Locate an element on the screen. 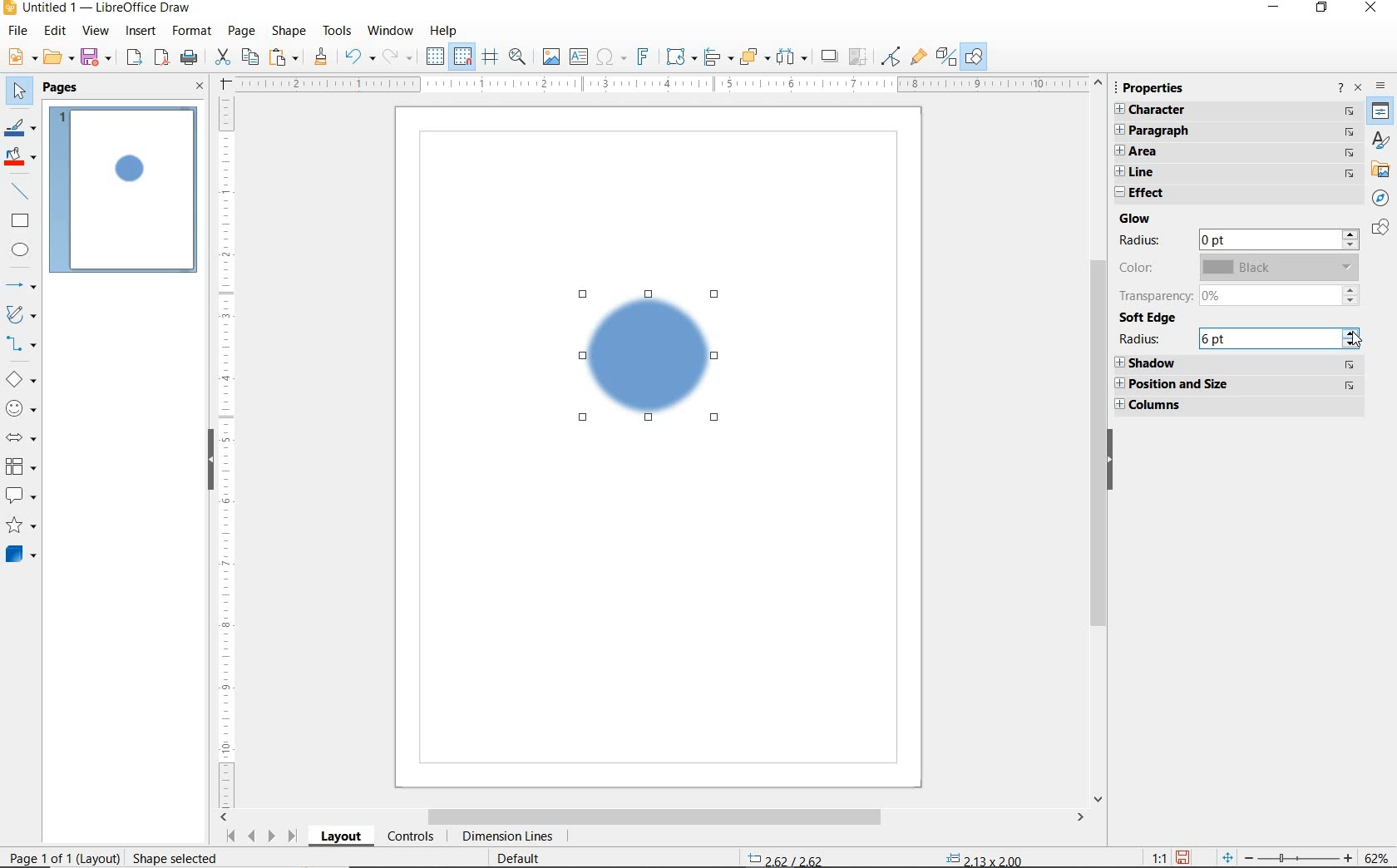 The height and width of the screenshot is (868, 1397). Shapes is located at coordinates (1380, 230).